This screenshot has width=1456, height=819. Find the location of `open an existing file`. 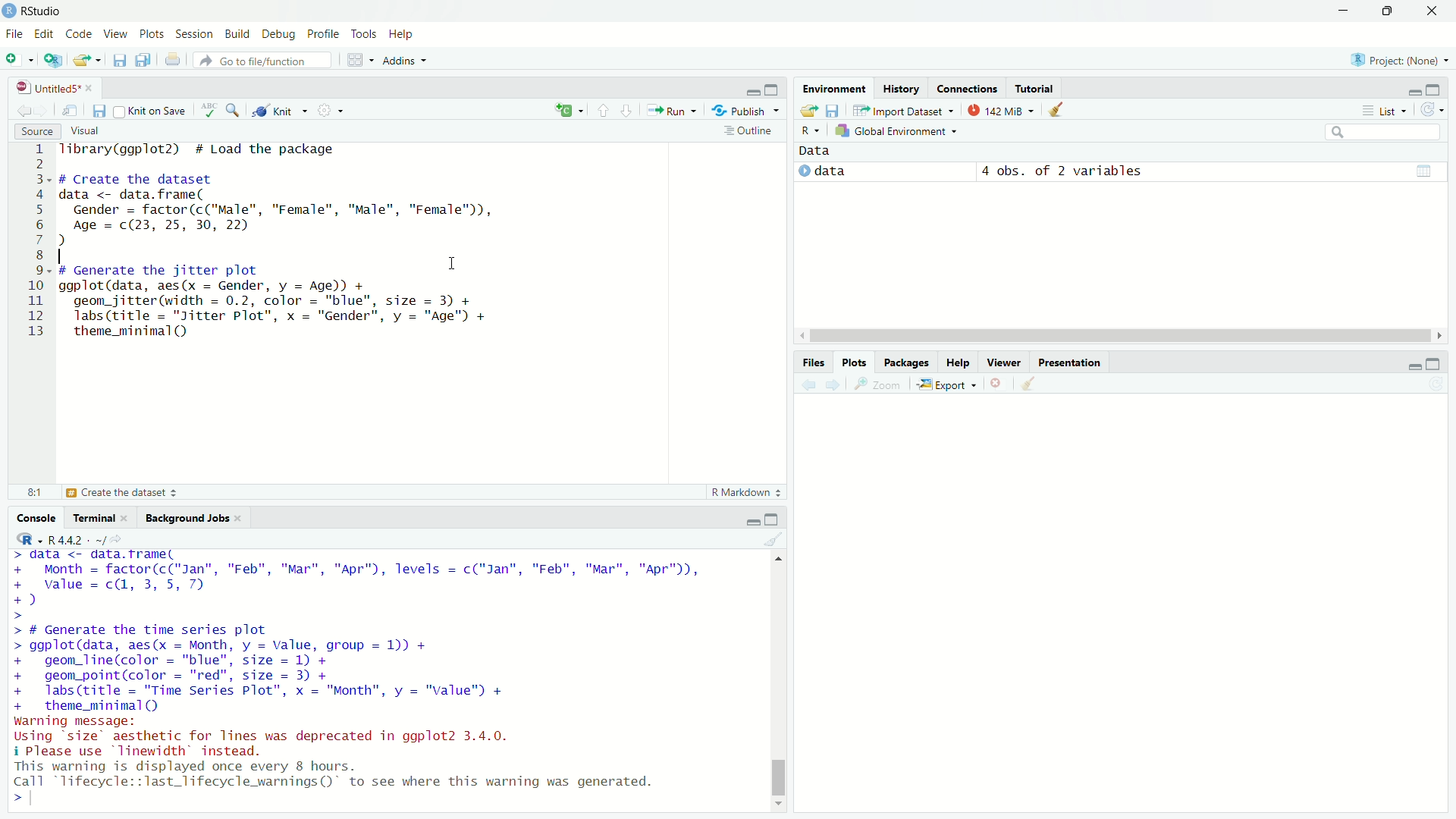

open an existing file is located at coordinates (88, 58).